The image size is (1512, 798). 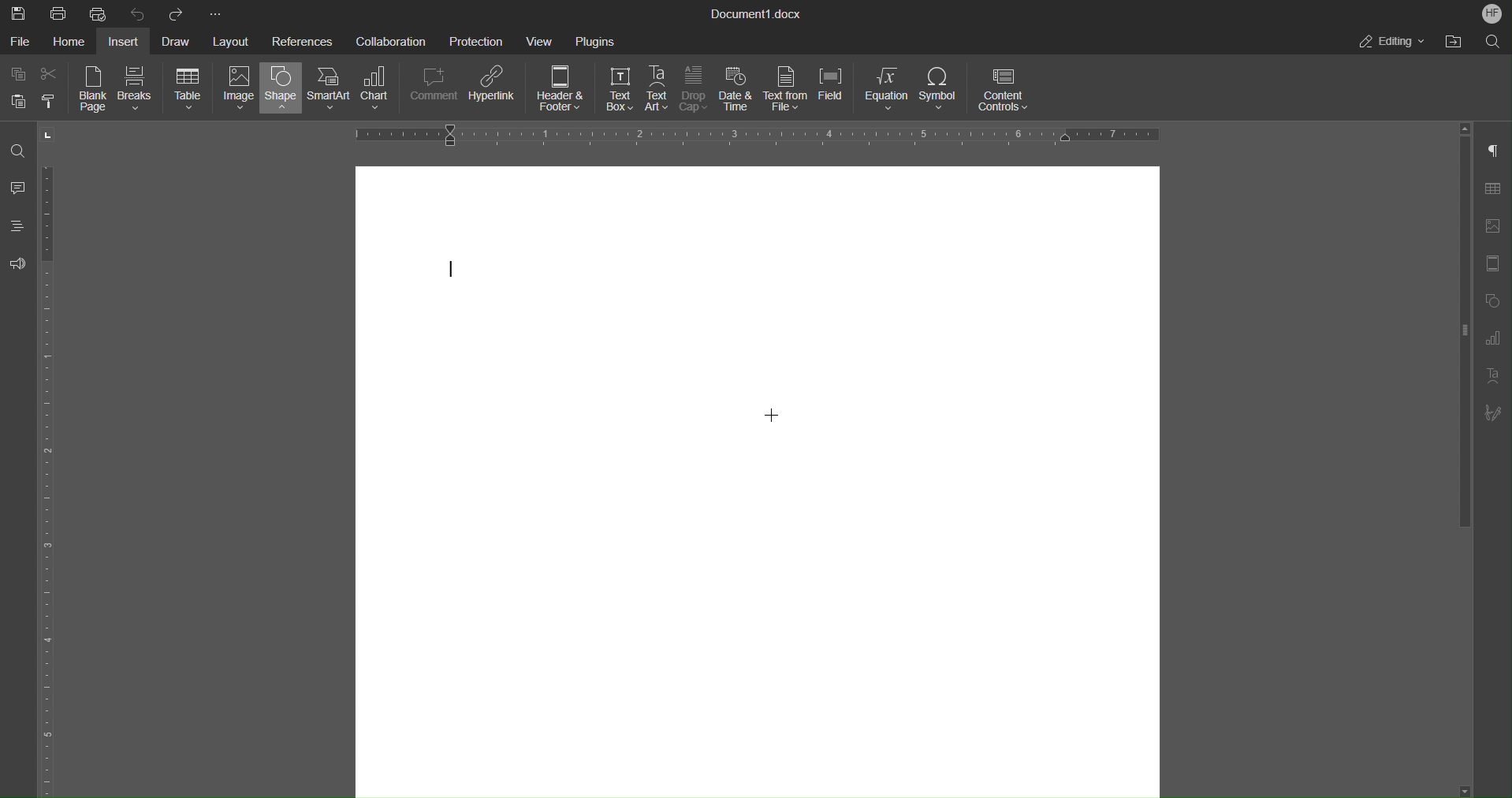 I want to click on Drop Cap, so click(x=695, y=91).